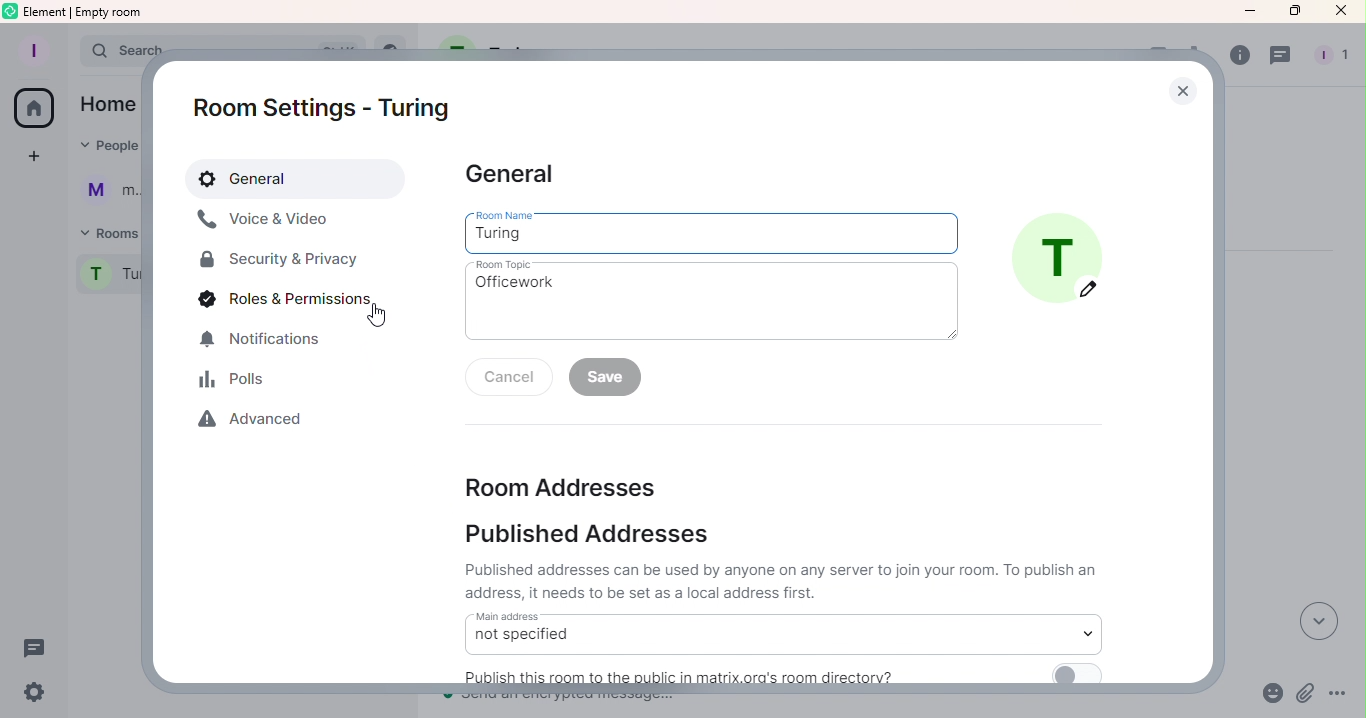 The height and width of the screenshot is (718, 1366). Describe the element at coordinates (609, 379) in the screenshot. I see `Save` at that location.